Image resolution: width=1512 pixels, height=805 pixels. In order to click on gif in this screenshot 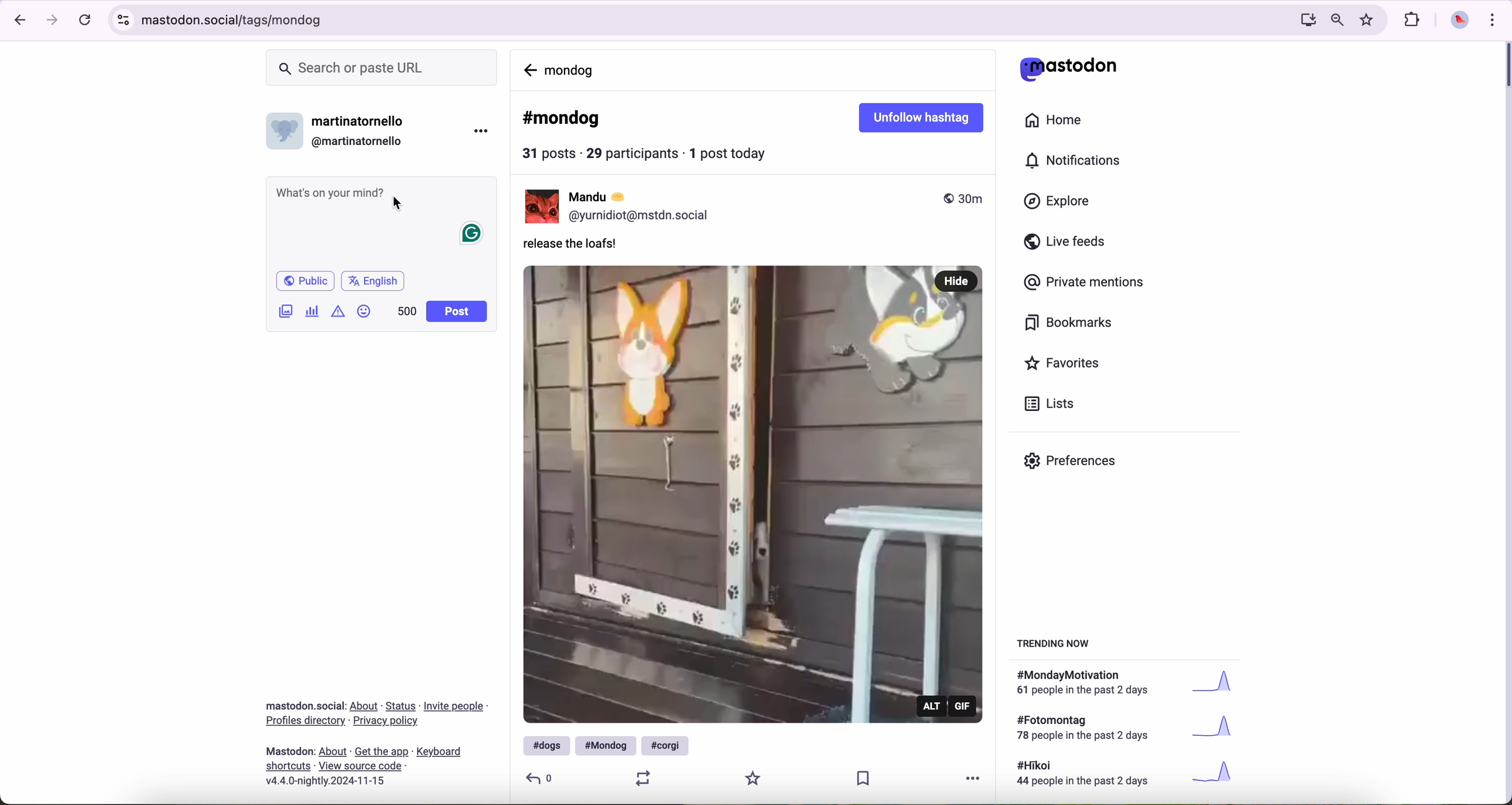, I will do `click(964, 706)`.